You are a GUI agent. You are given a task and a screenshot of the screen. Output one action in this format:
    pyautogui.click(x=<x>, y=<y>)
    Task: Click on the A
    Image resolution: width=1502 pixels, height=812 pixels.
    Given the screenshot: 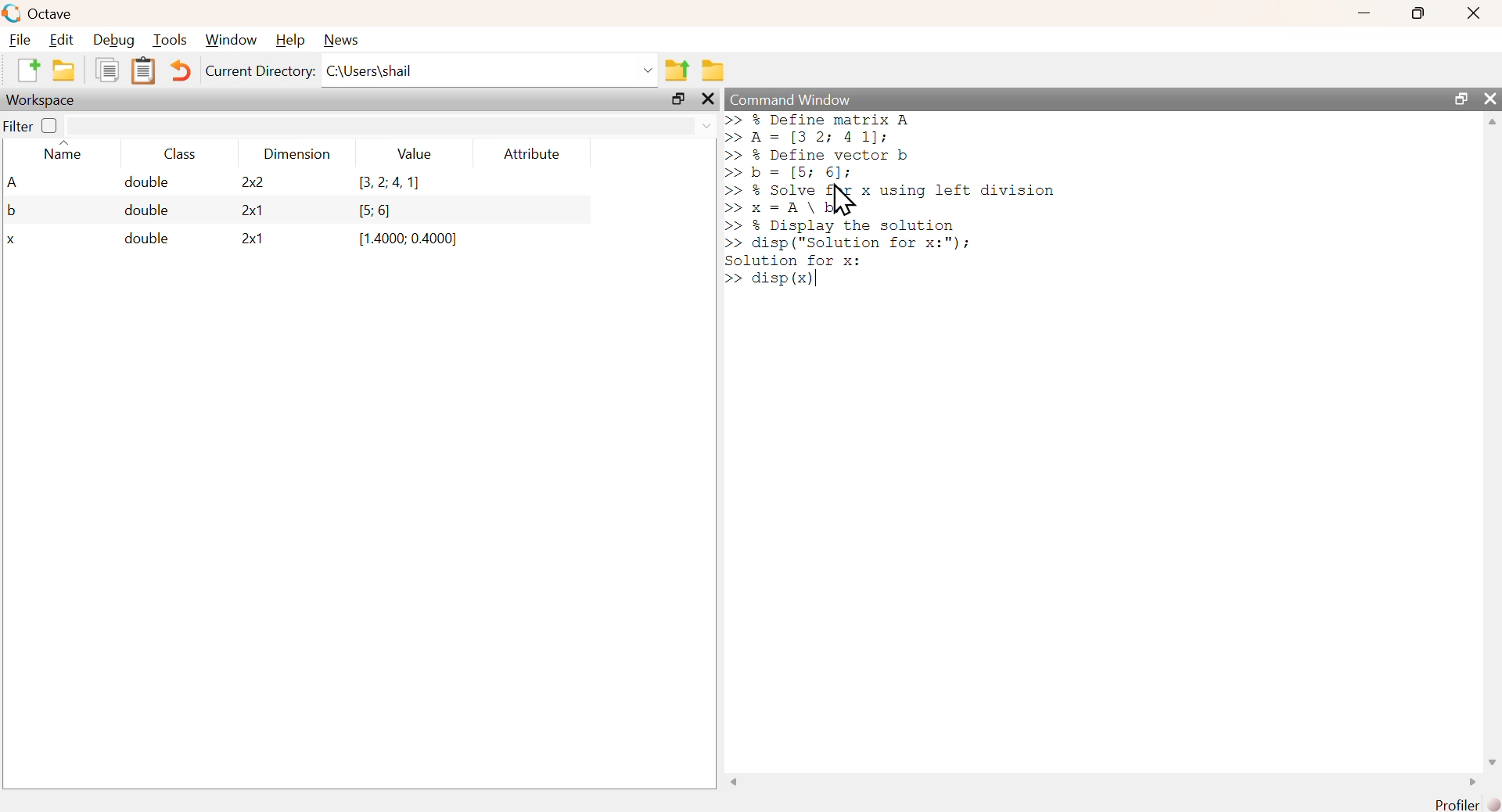 What is the action you would take?
    pyautogui.click(x=15, y=183)
    